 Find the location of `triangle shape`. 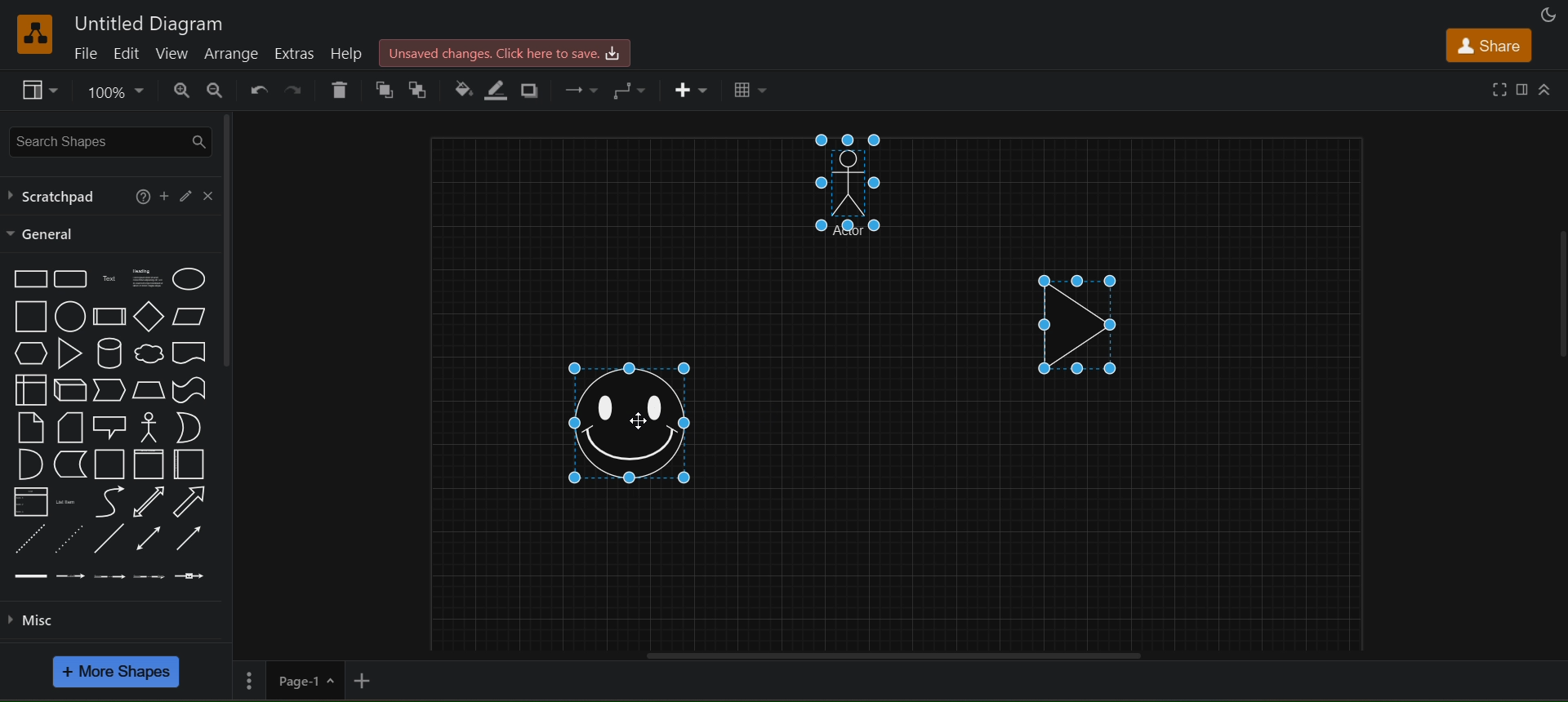

triangle shape is located at coordinates (1083, 318).